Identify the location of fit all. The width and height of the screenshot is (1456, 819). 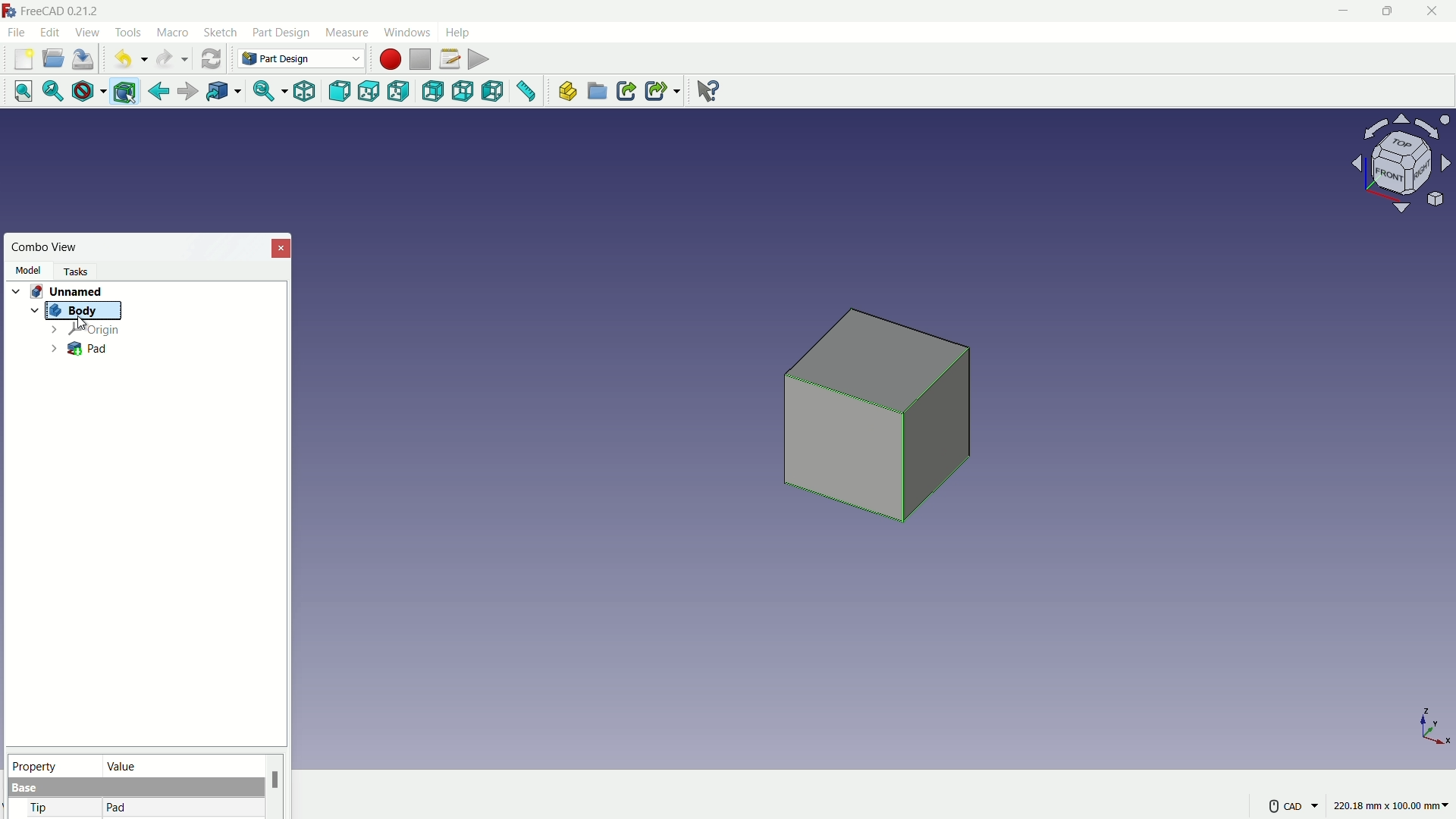
(18, 90).